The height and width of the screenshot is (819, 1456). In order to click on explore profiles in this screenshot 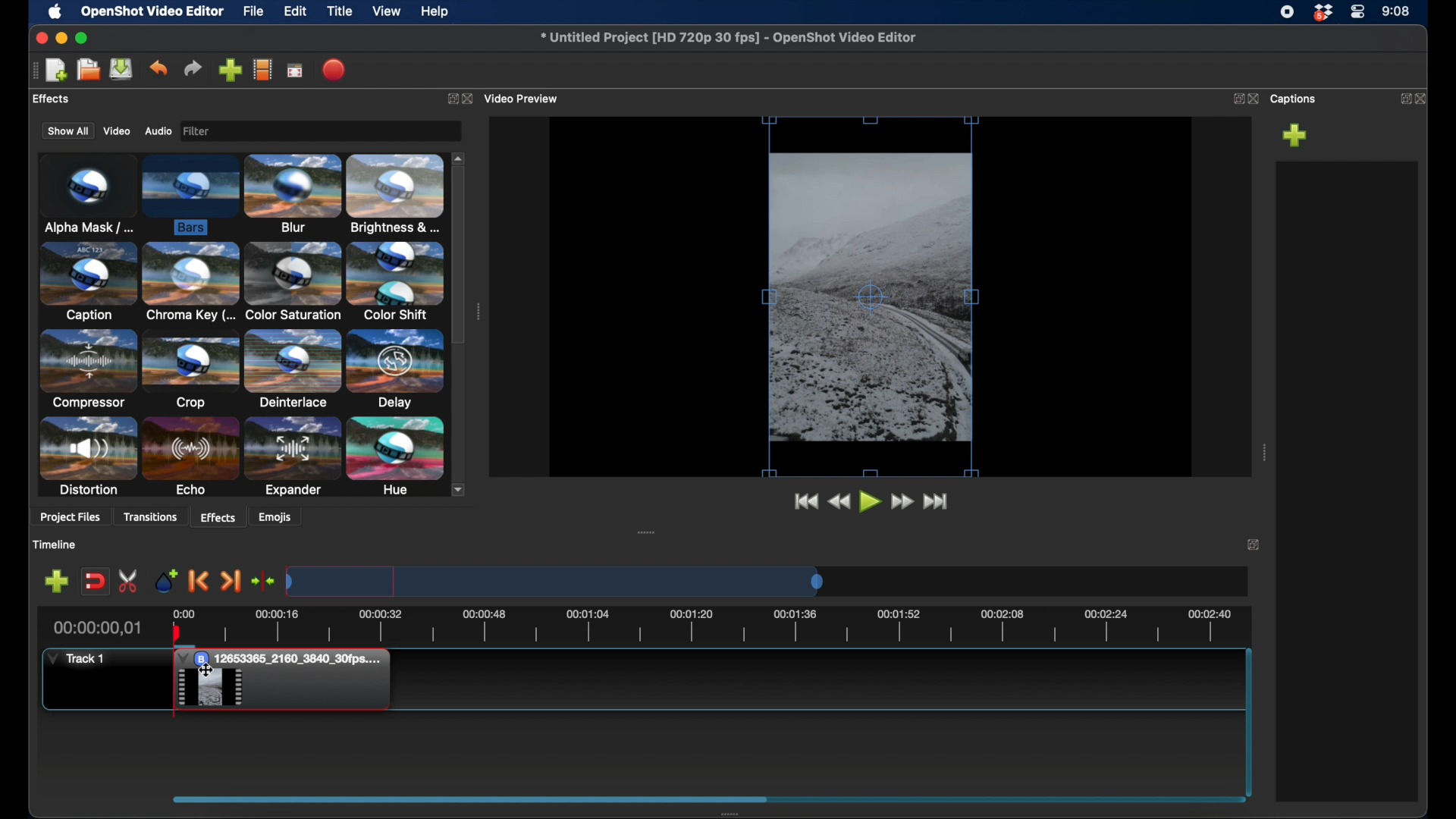, I will do `click(263, 70)`.